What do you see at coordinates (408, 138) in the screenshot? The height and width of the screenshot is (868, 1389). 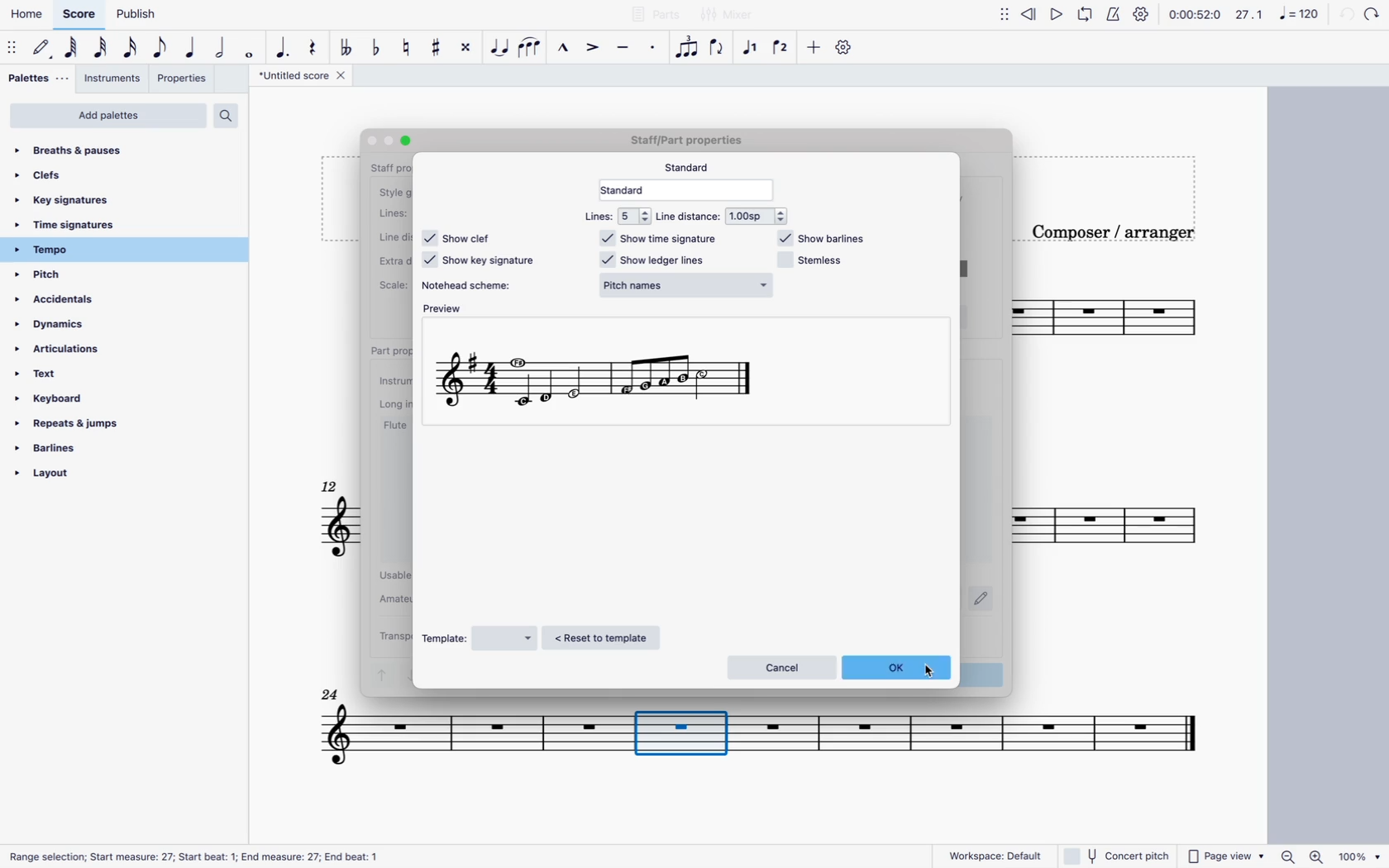 I see `` at bounding box center [408, 138].